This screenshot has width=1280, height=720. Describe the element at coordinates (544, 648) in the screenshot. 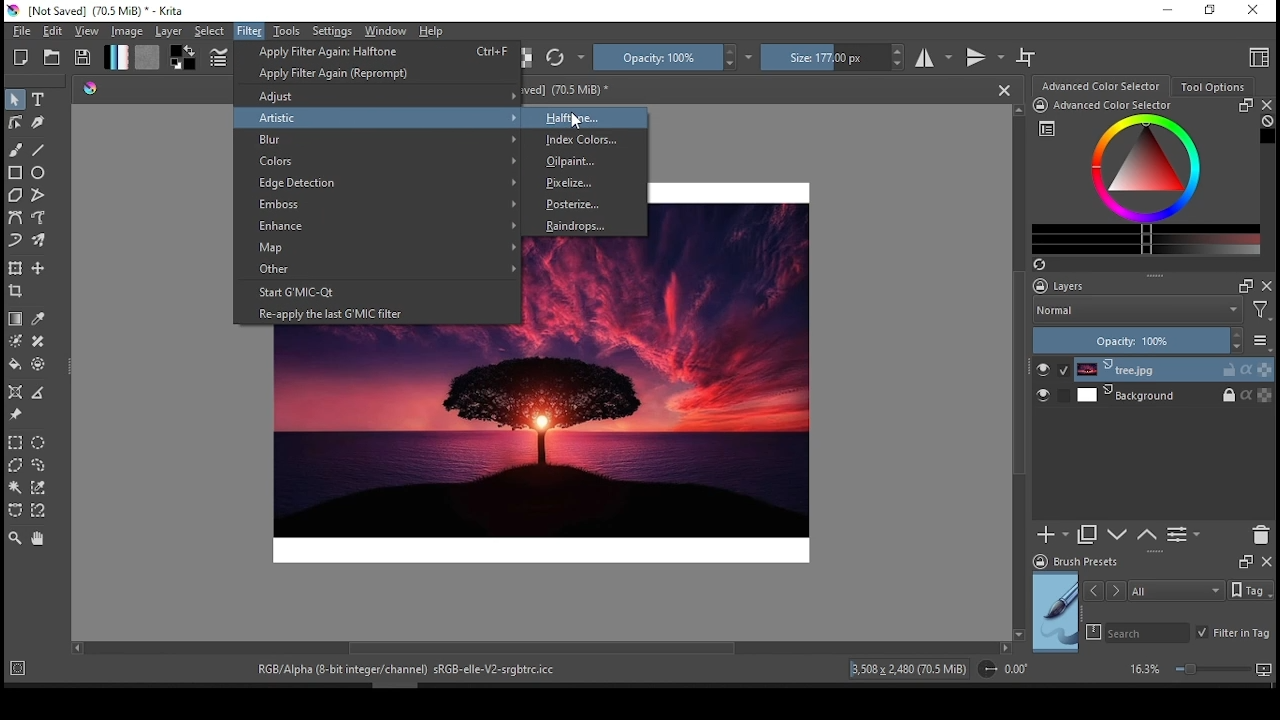

I see `scroll` at that location.